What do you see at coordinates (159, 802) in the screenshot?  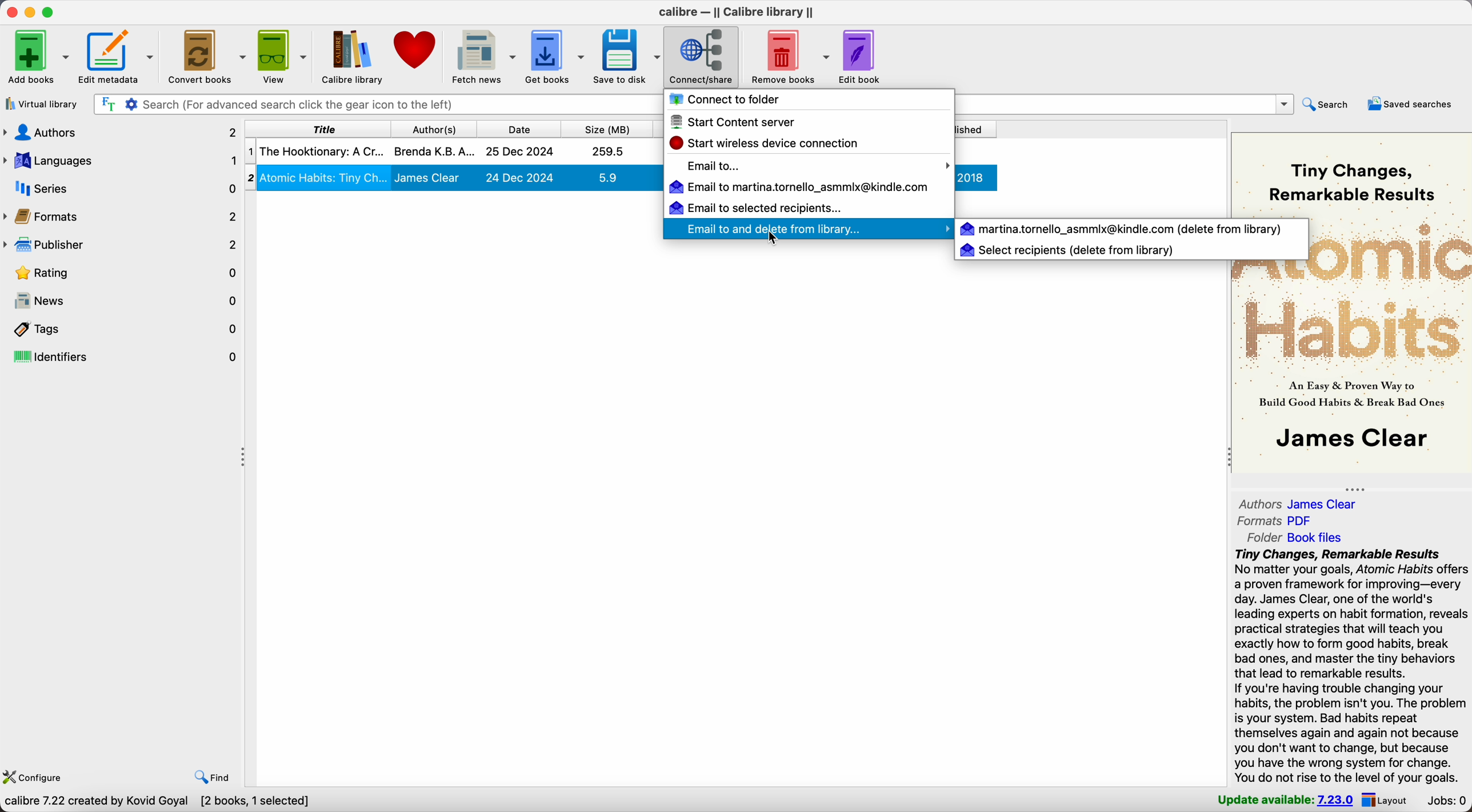 I see `Calibre 7.22 created by koyal goyal [2 books, 1 selected]` at bounding box center [159, 802].